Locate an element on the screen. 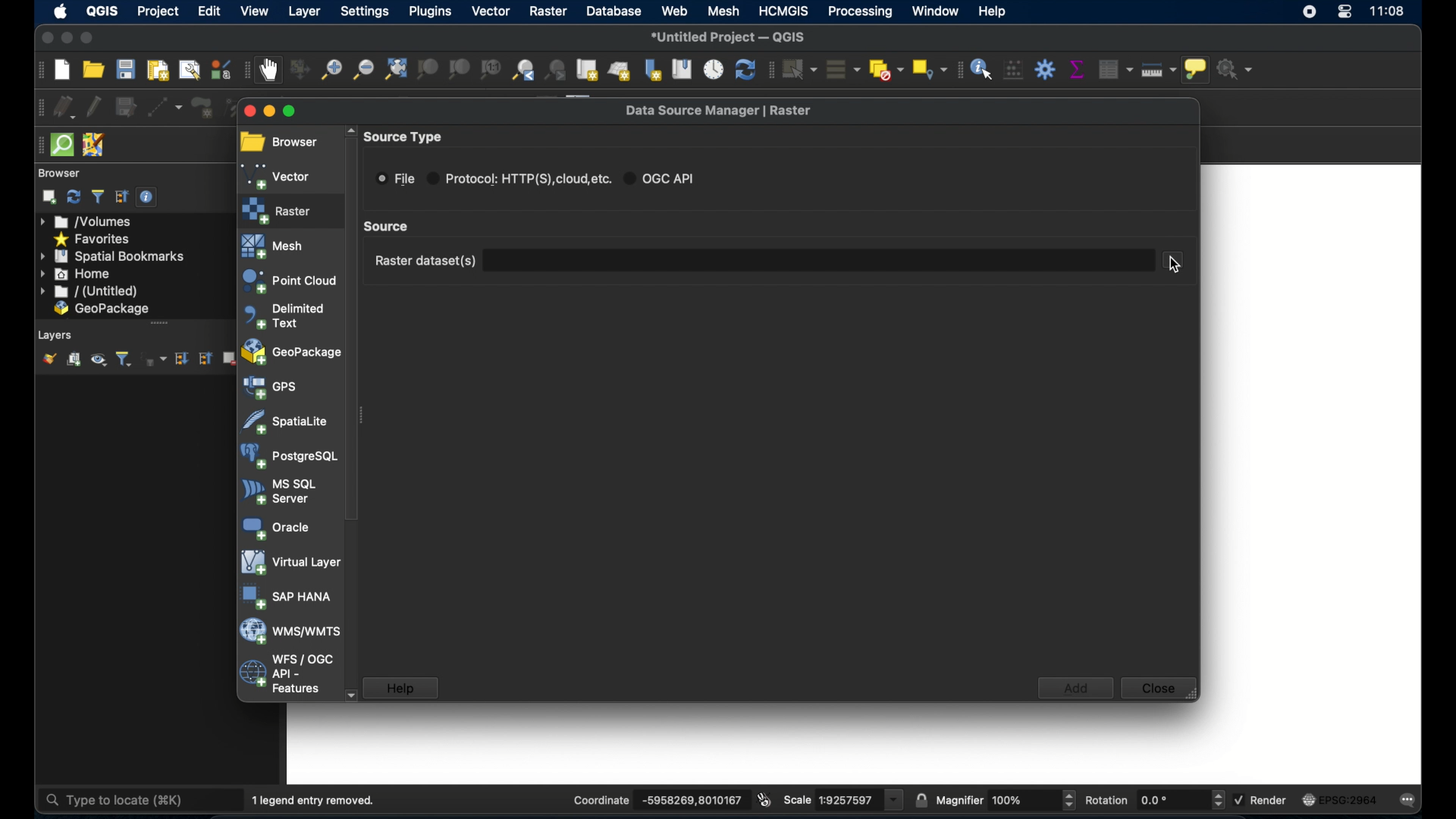  enable/disable properties widget is located at coordinates (149, 197).